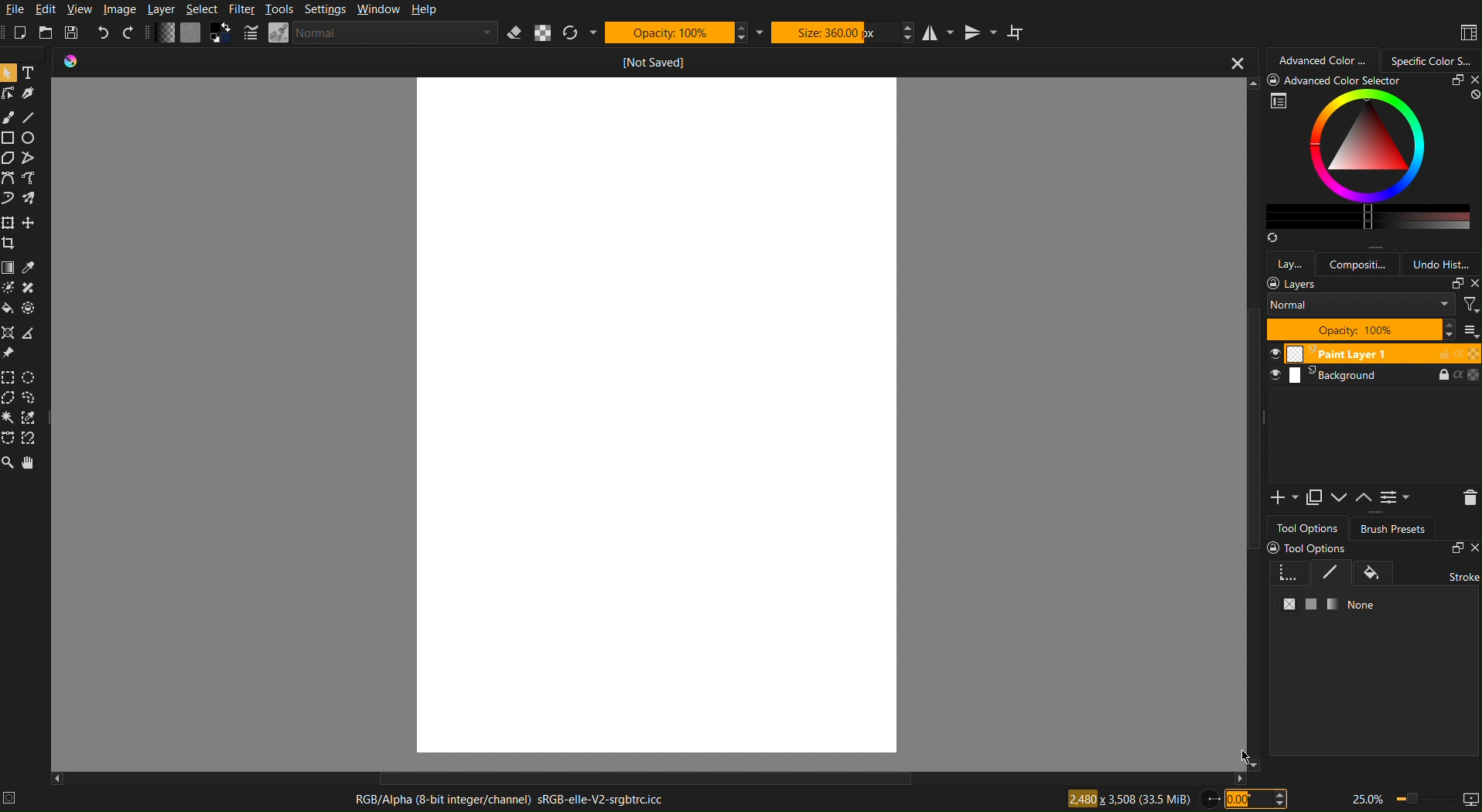 Image resolution: width=1482 pixels, height=812 pixels. What do you see at coordinates (1284, 498) in the screenshot?
I see `Add Layer` at bounding box center [1284, 498].